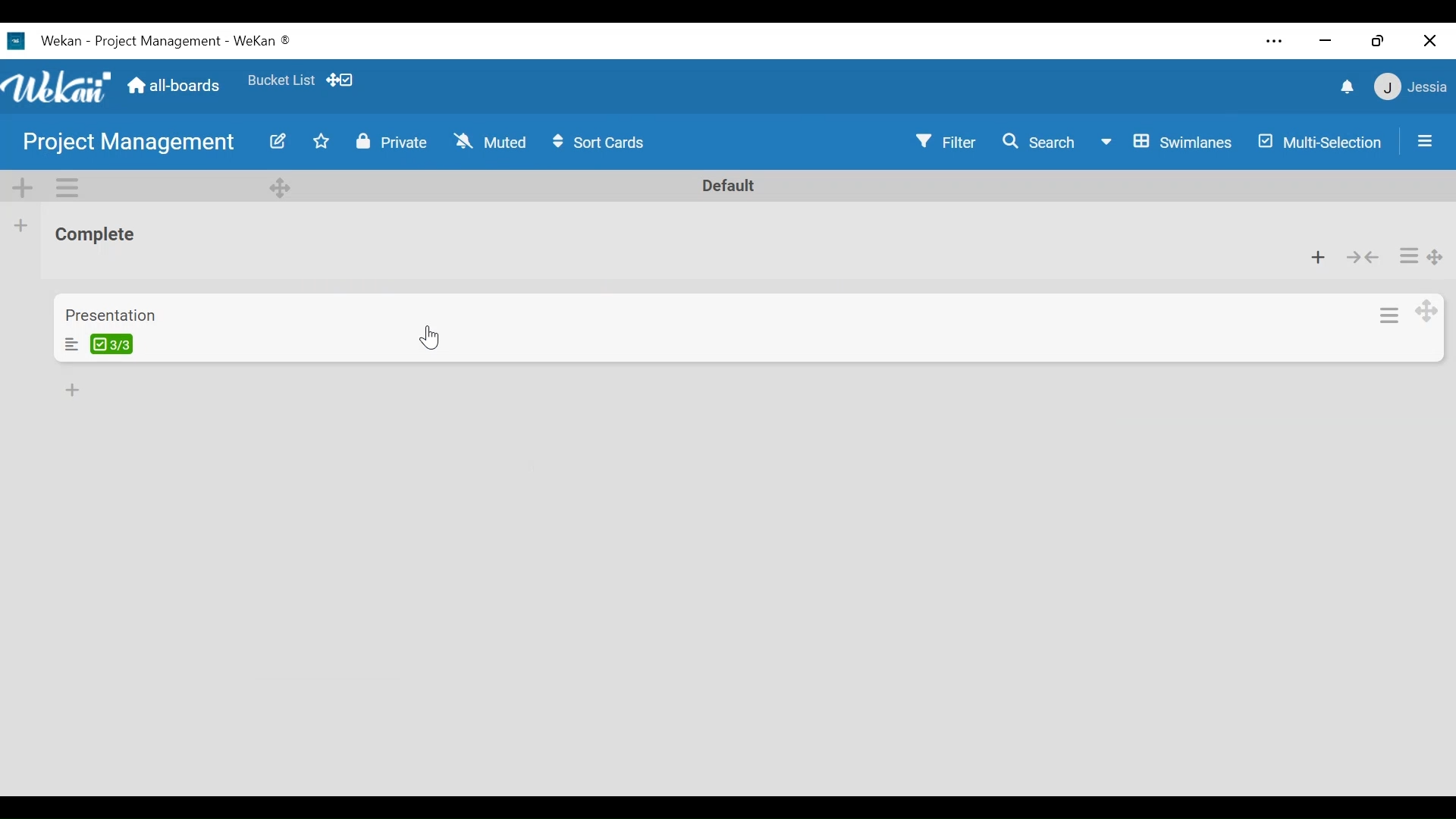 This screenshot has height=819, width=1456. I want to click on Wekan logo, so click(58, 86).